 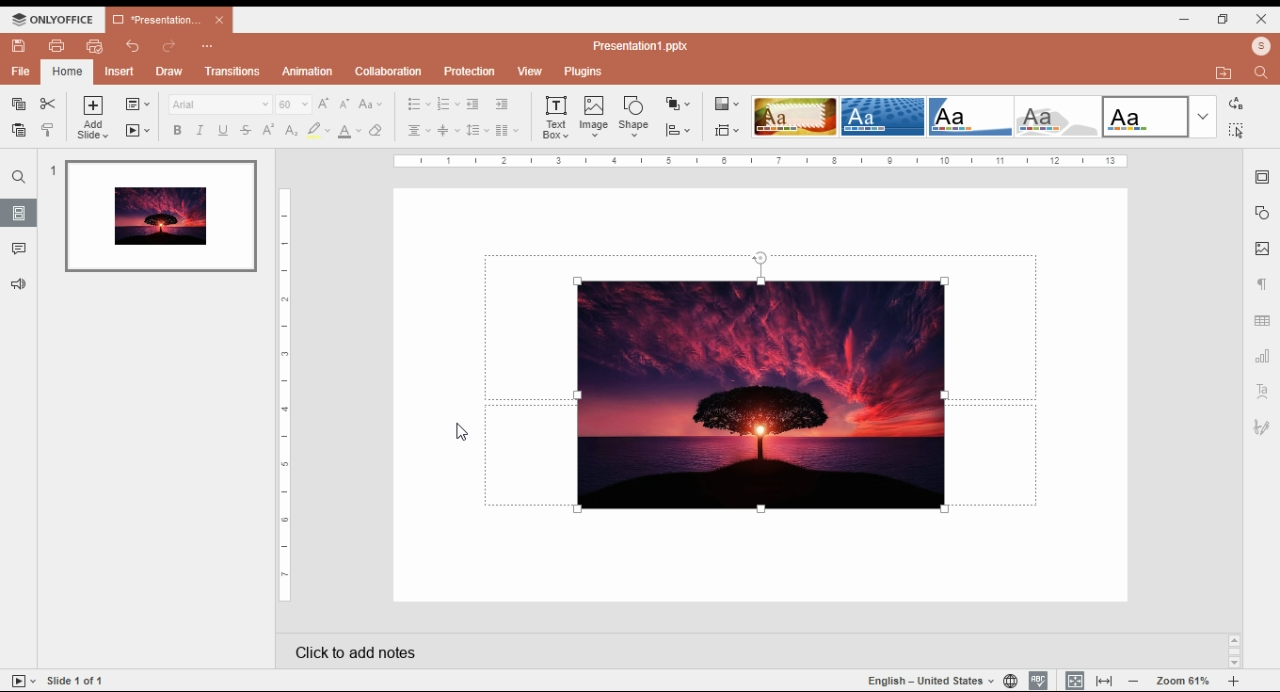 What do you see at coordinates (935, 682) in the screenshot?
I see `language` at bounding box center [935, 682].